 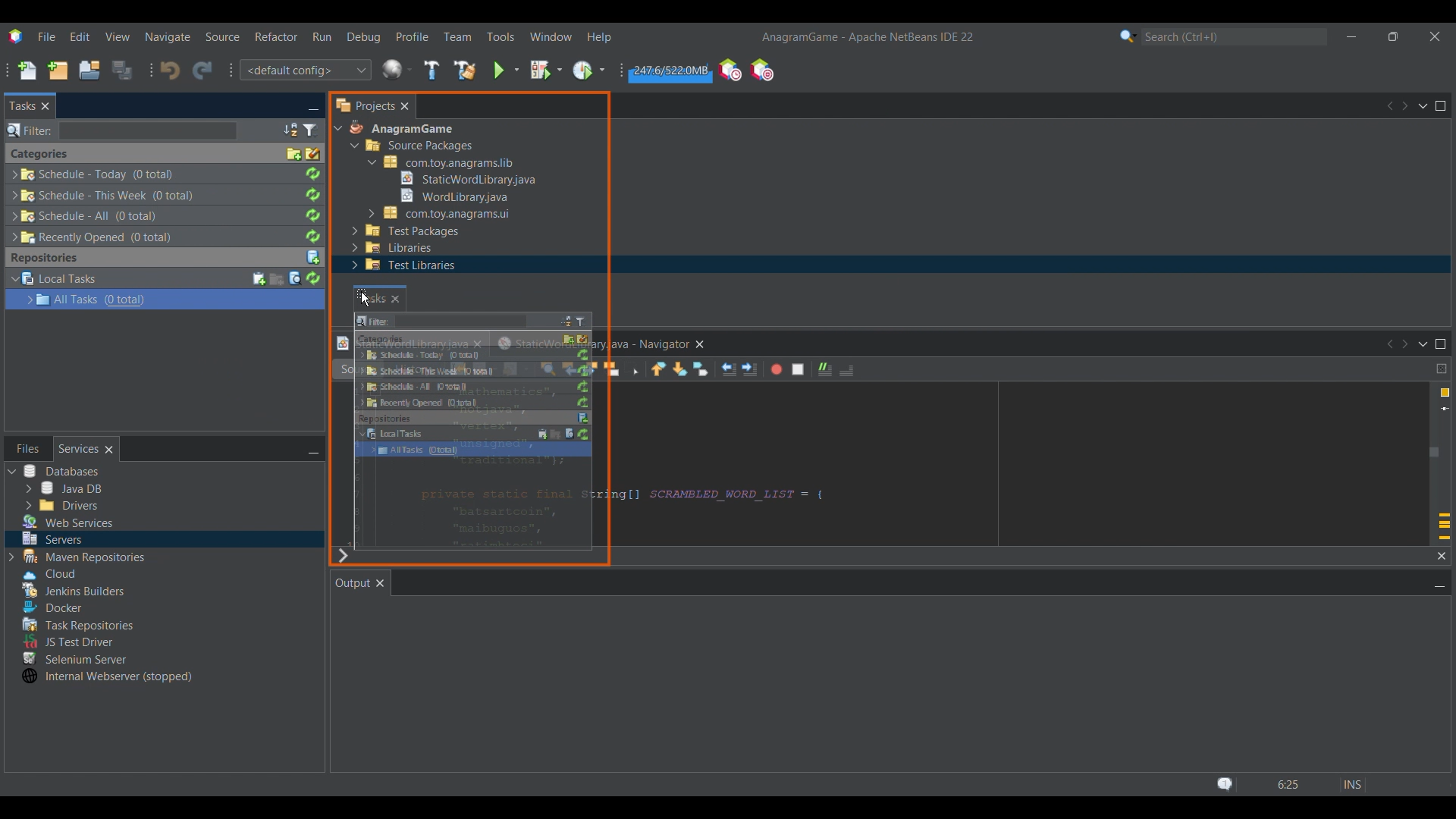 What do you see at coordinates (477, 398) in the screenshot?
I see `` at bounding box center [477, 398].